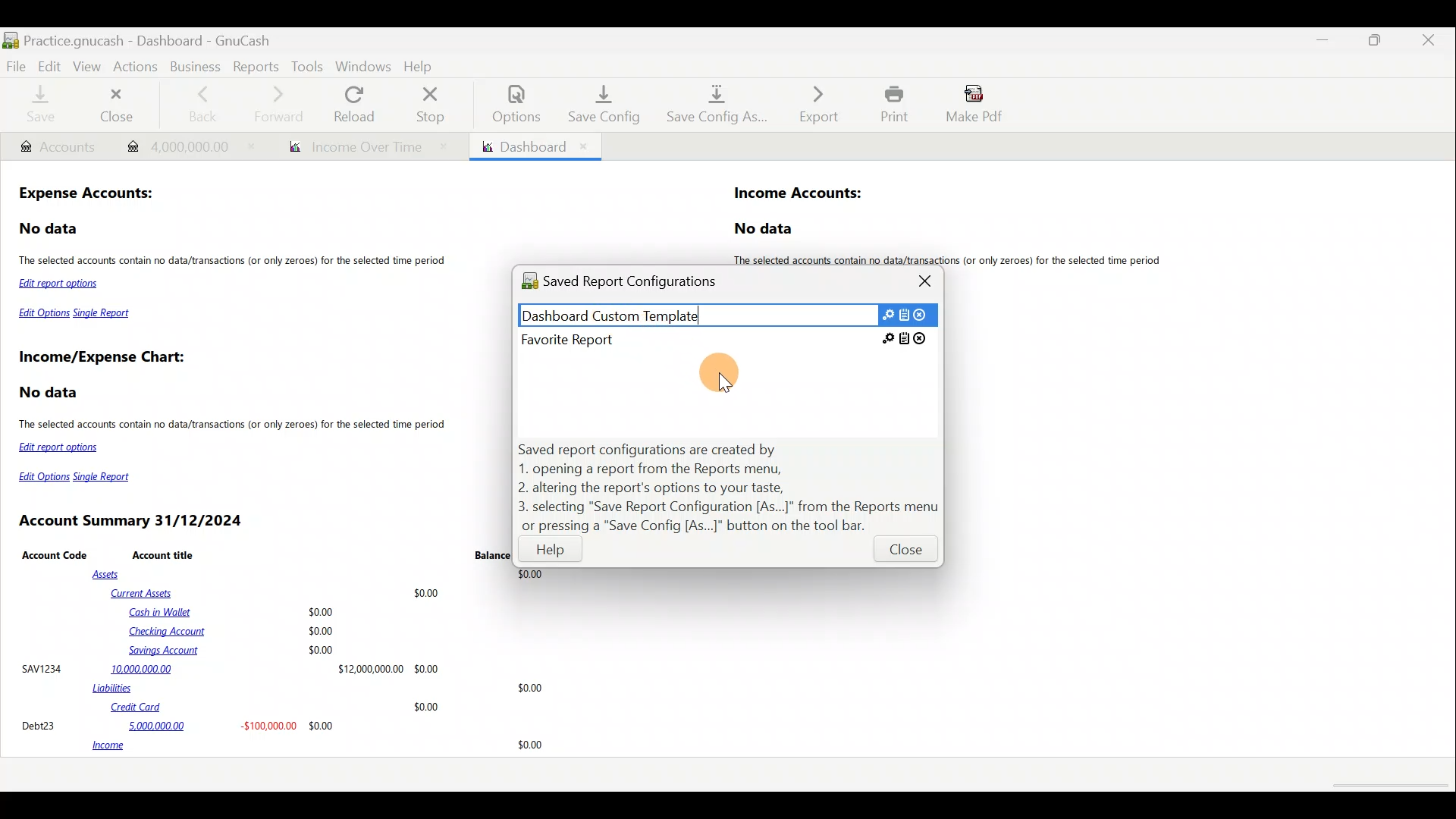  I want to click on Make pdf, so click(979, 106).